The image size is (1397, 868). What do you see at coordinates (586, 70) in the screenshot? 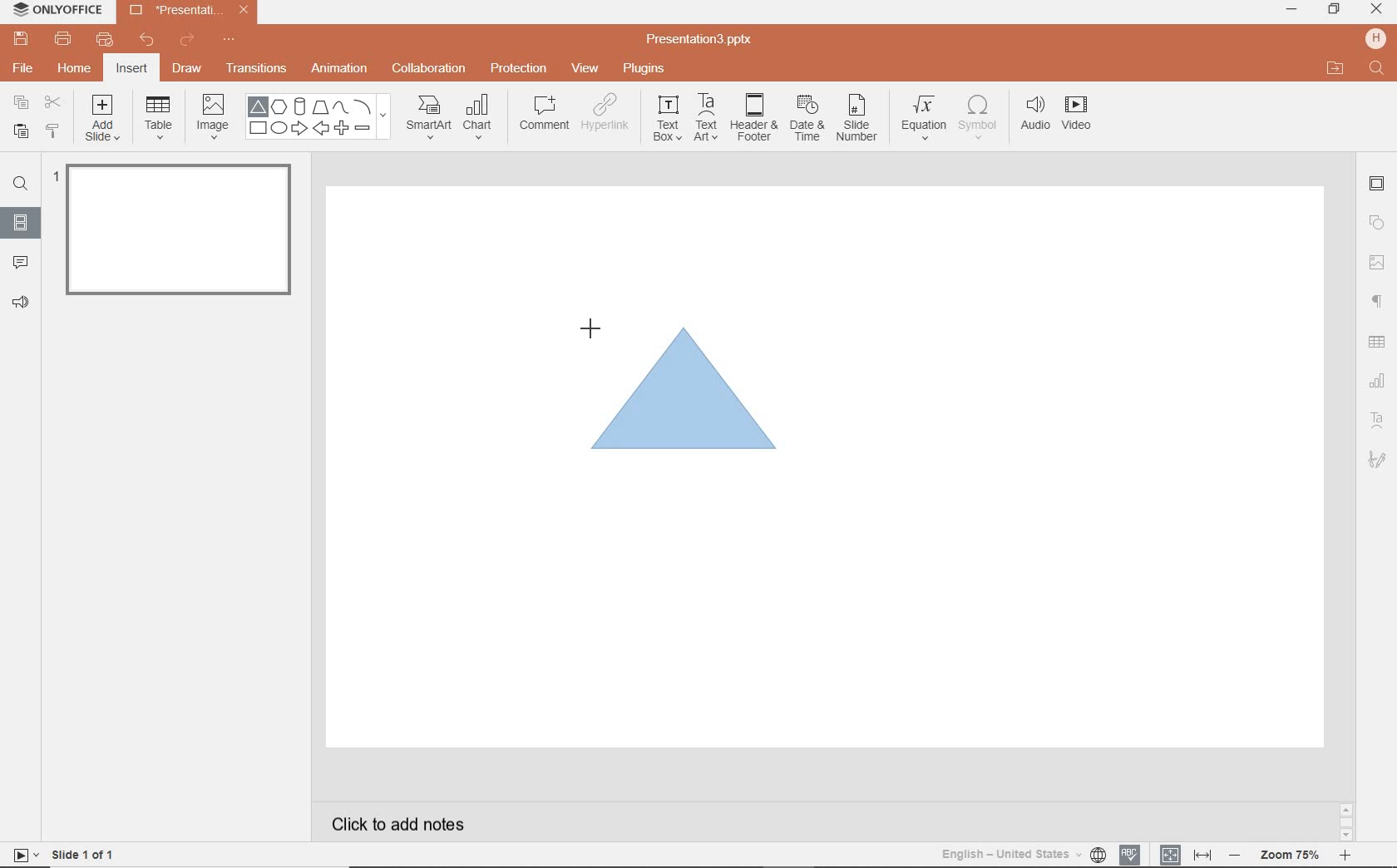
I see `VIEW` at bounding box center [586, 70].